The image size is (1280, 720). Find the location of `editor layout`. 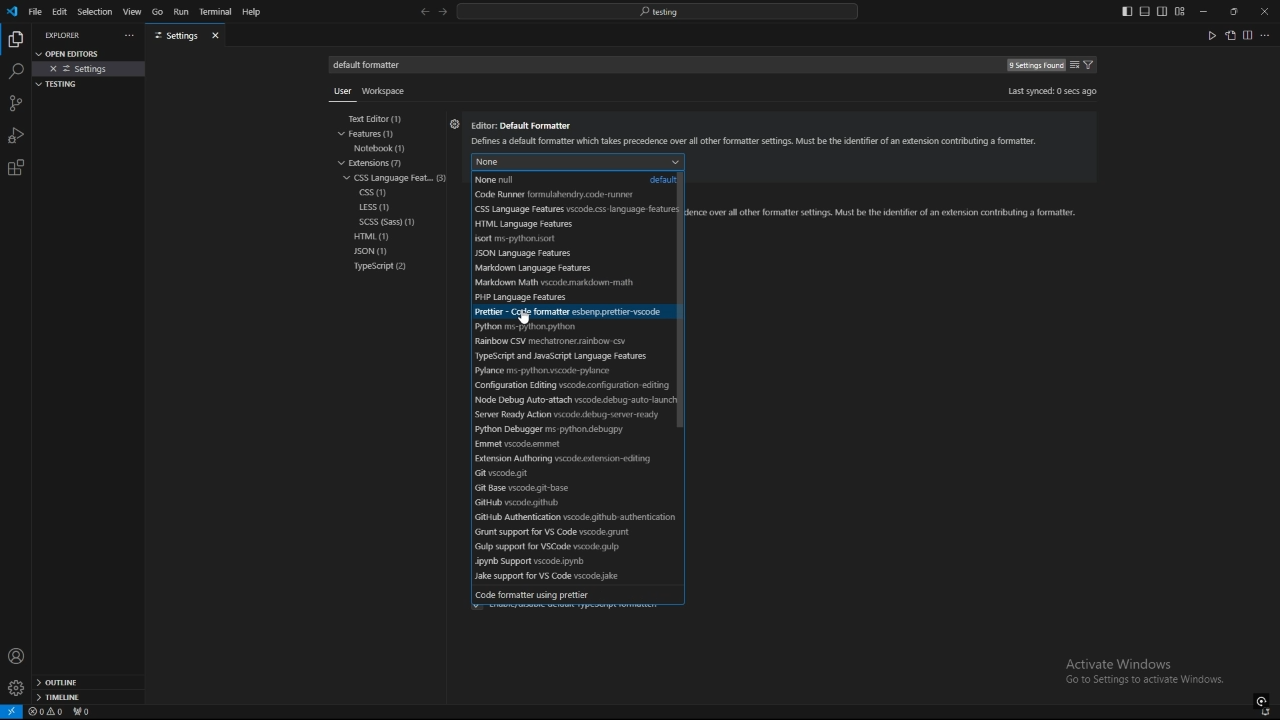

editor layout is located at coordinates (1153, 11).